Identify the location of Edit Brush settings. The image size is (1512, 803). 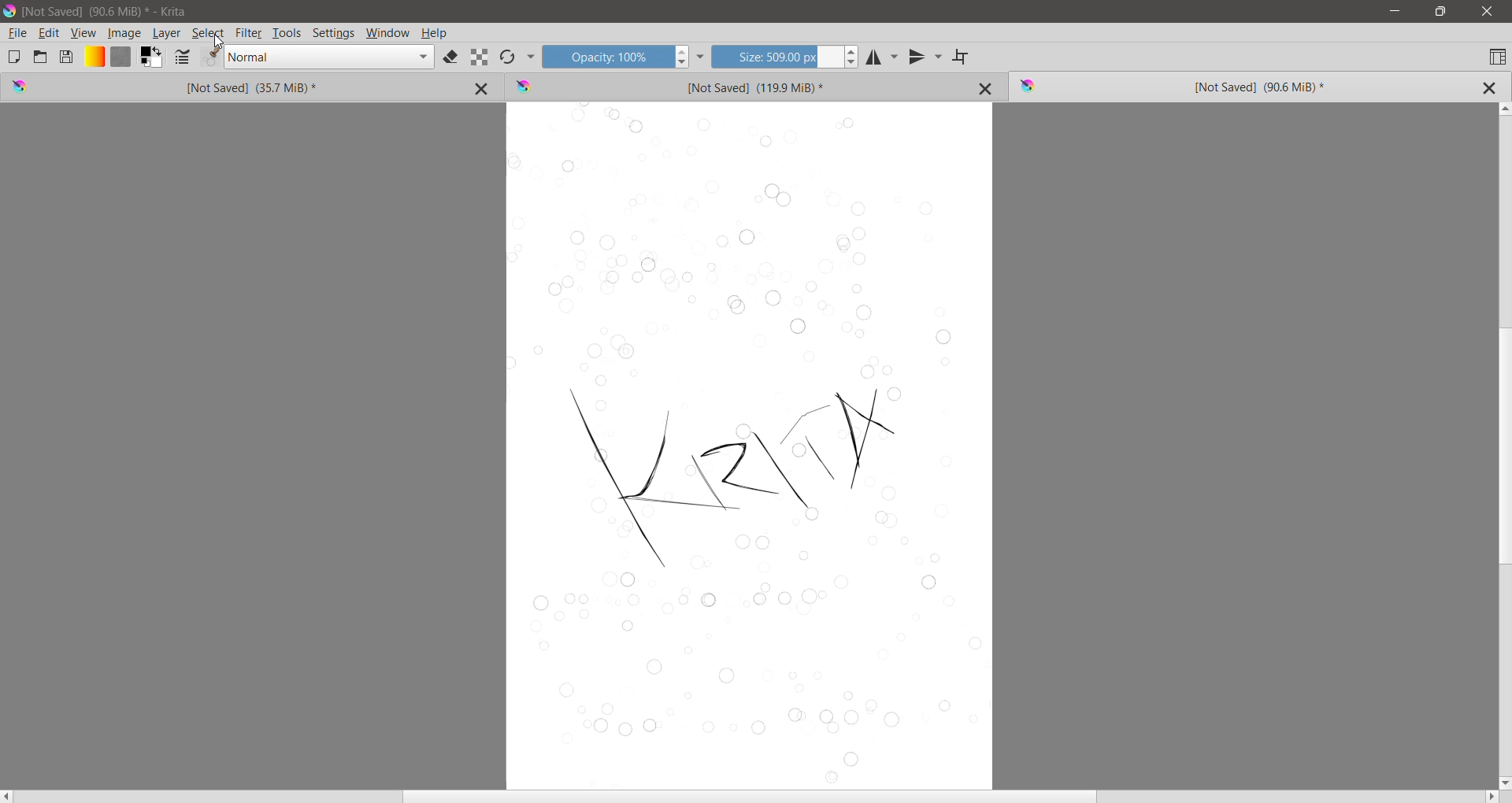
(182, 58).